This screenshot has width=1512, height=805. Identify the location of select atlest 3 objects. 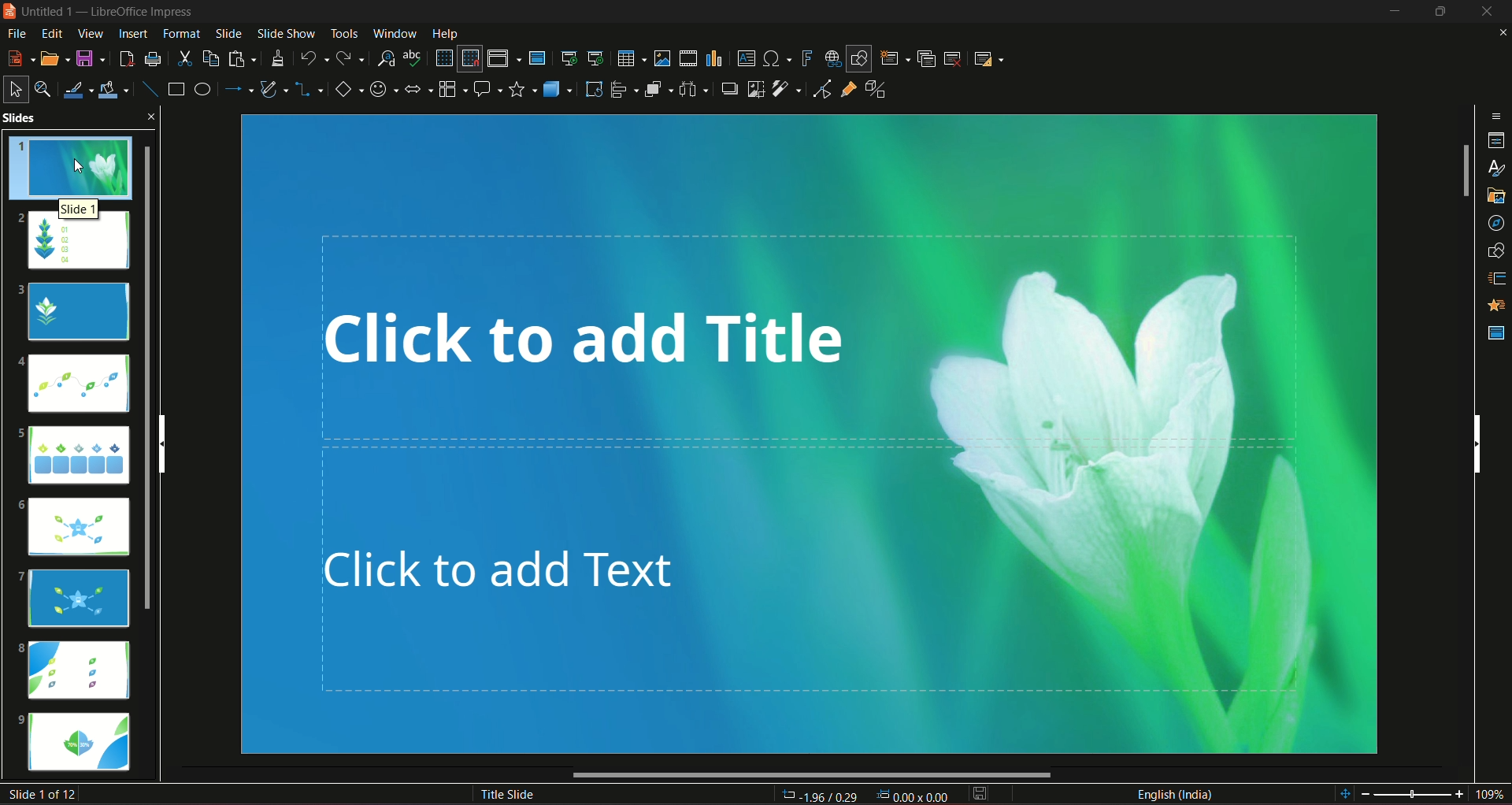
(696, 88).